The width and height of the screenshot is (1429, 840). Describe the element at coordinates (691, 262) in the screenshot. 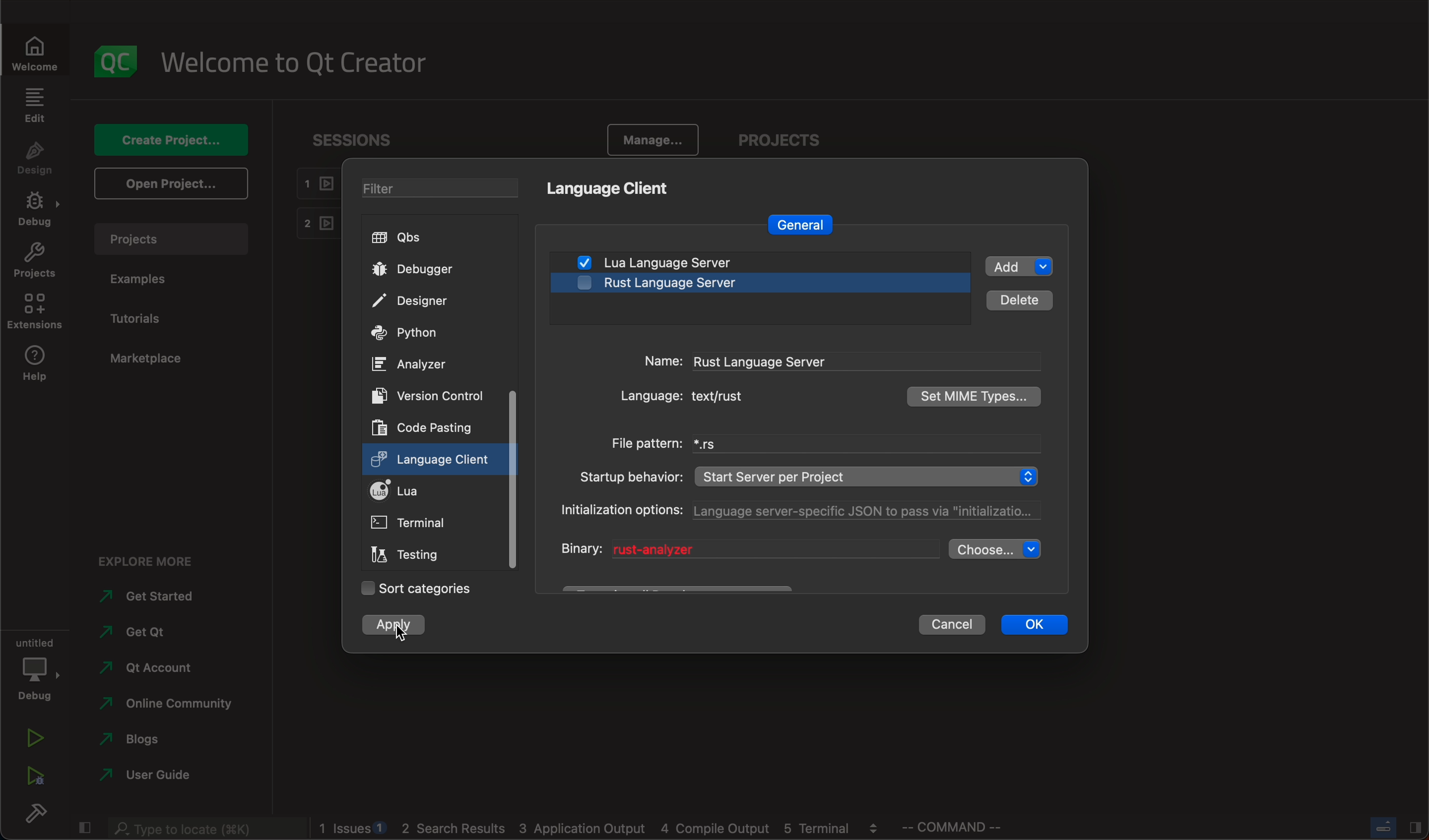

I see `lua` at that location.